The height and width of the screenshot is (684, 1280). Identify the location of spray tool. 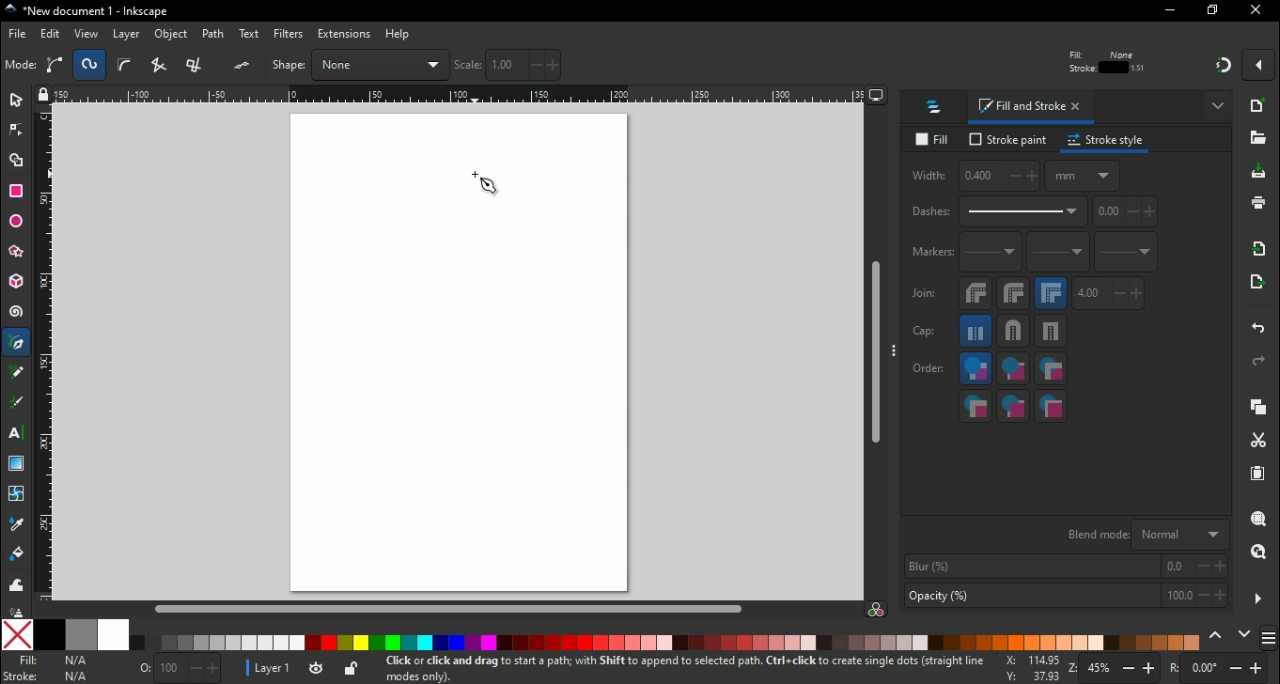
(14, 611).